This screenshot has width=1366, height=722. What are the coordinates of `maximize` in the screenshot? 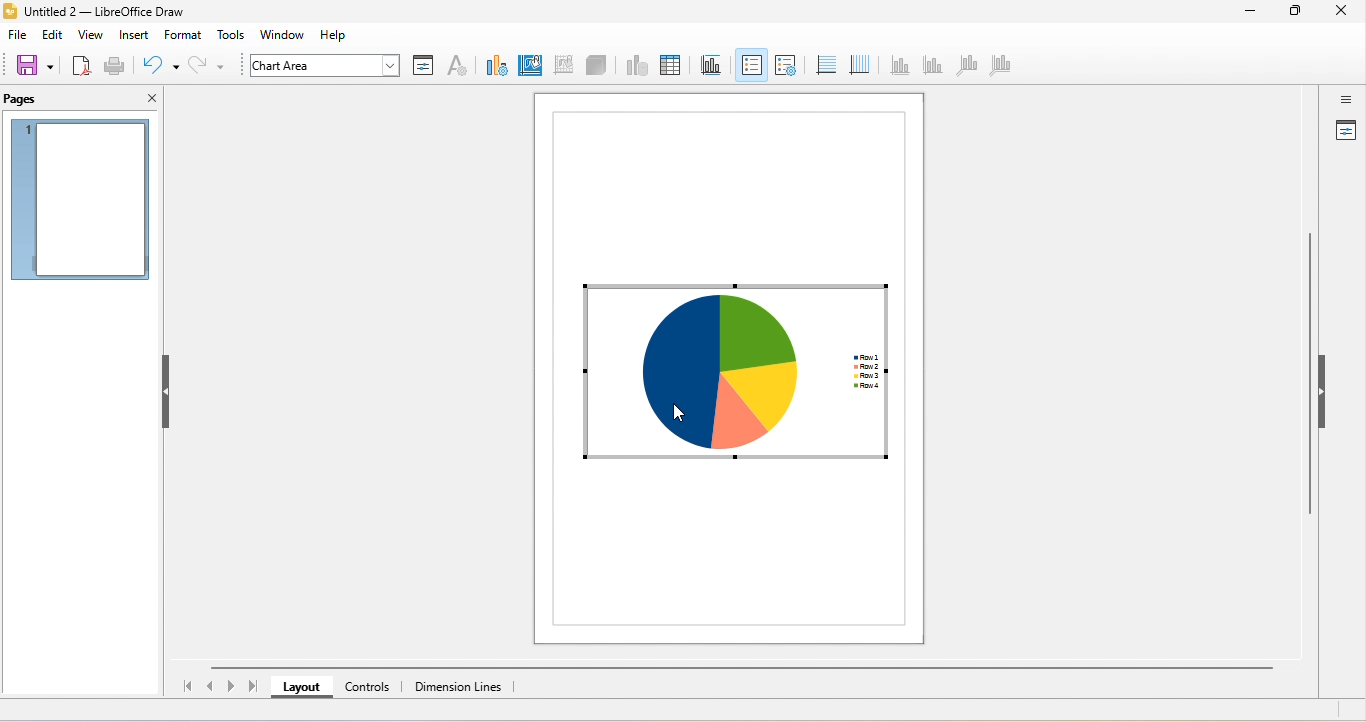 It's located at (1295, 12).